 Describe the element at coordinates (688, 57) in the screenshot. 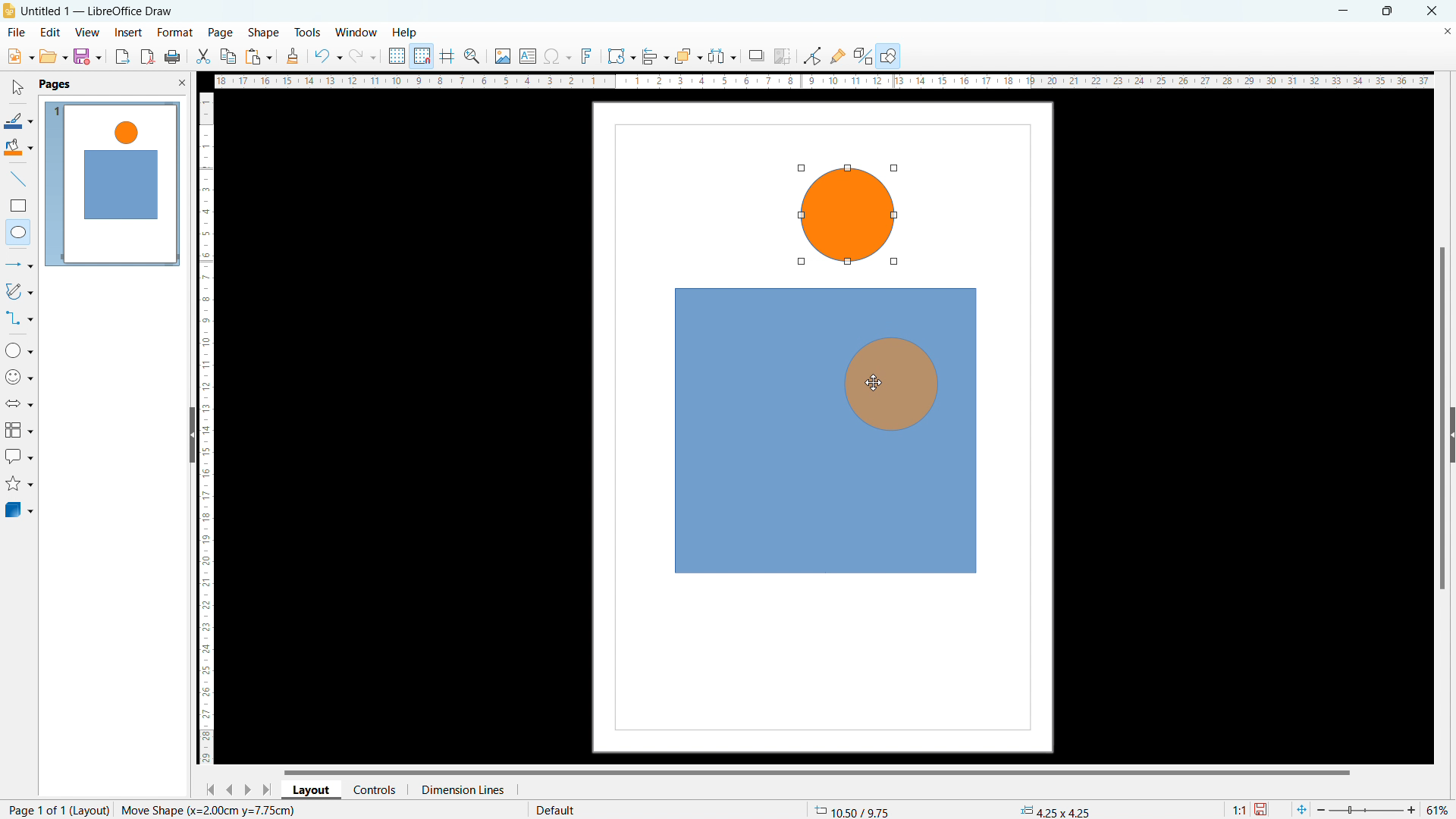

I see `arrange` at that location.